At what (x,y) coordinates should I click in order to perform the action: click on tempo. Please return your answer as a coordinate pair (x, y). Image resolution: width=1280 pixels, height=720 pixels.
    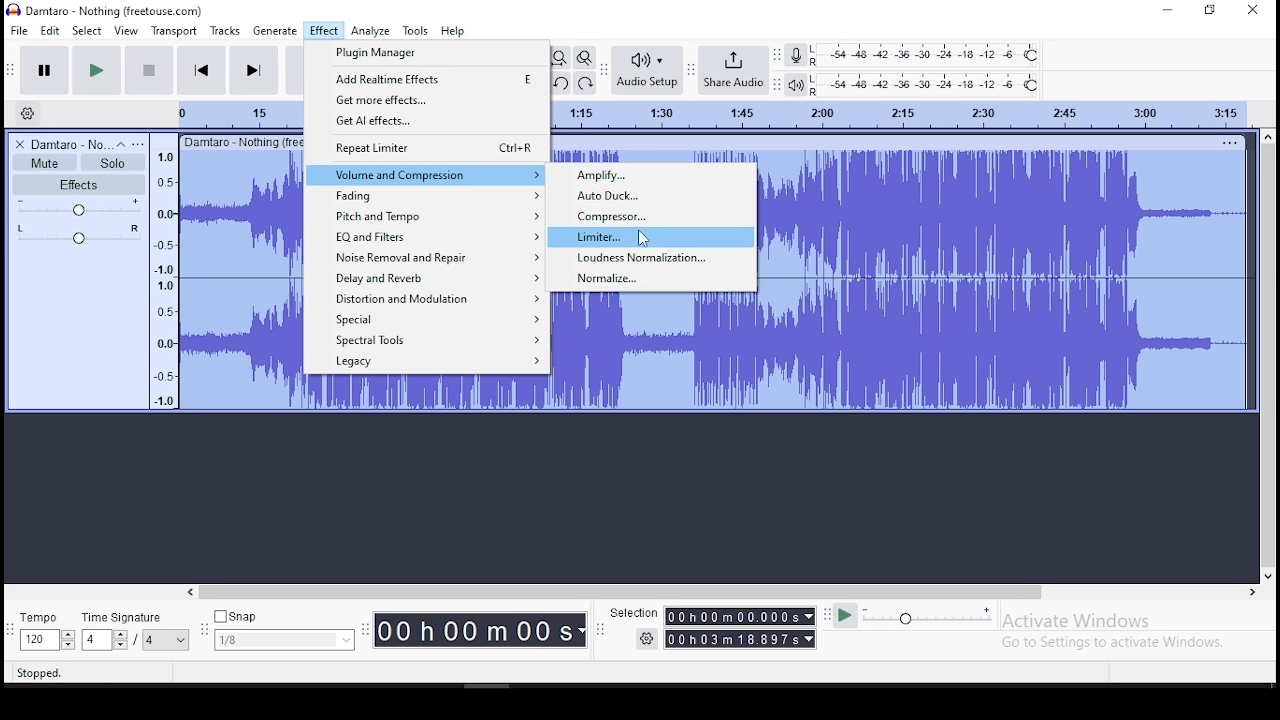
    Looking at the image, I should click on (44, 629).